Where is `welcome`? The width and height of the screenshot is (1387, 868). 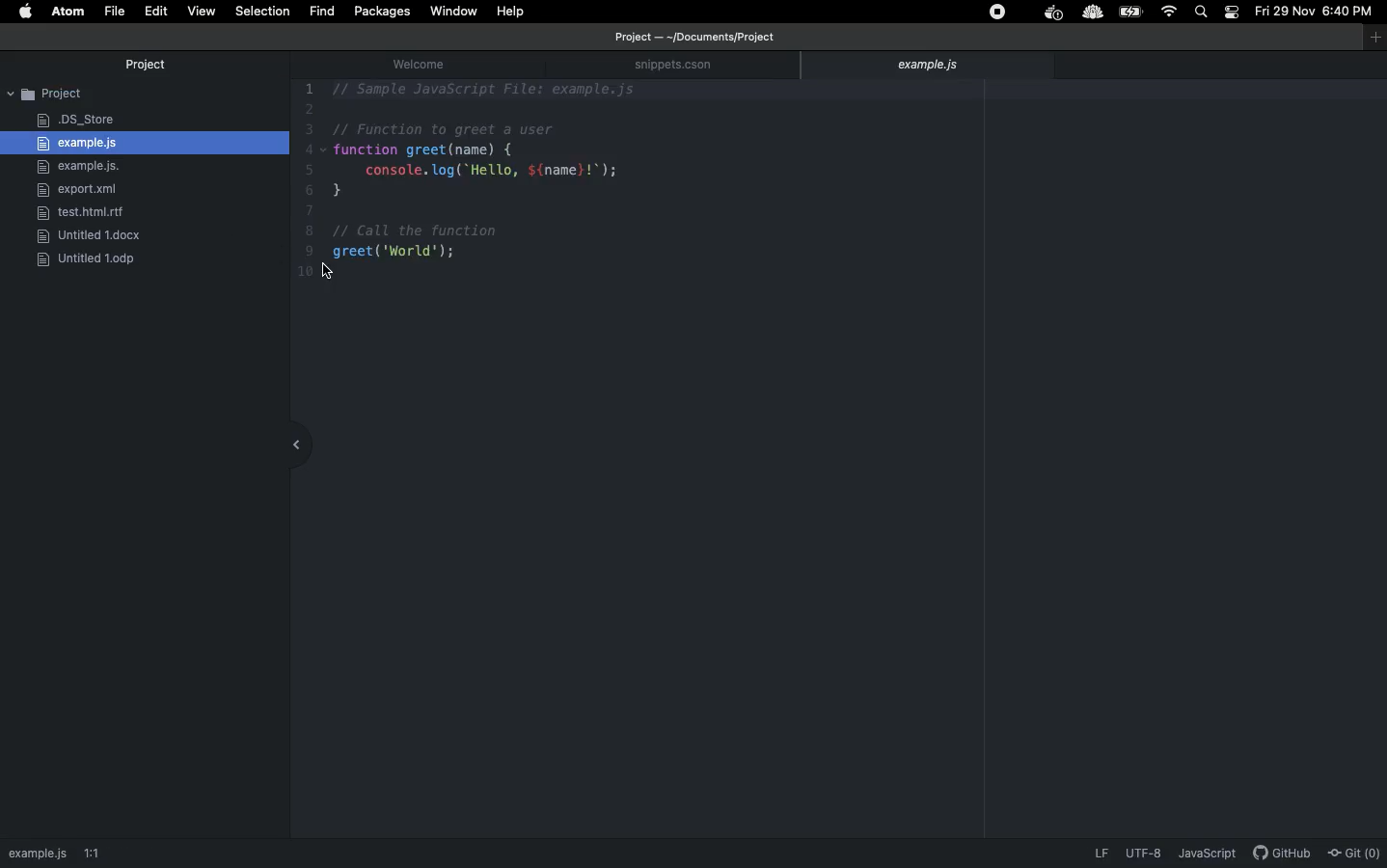 welcome is located at coordinates (432, 64).